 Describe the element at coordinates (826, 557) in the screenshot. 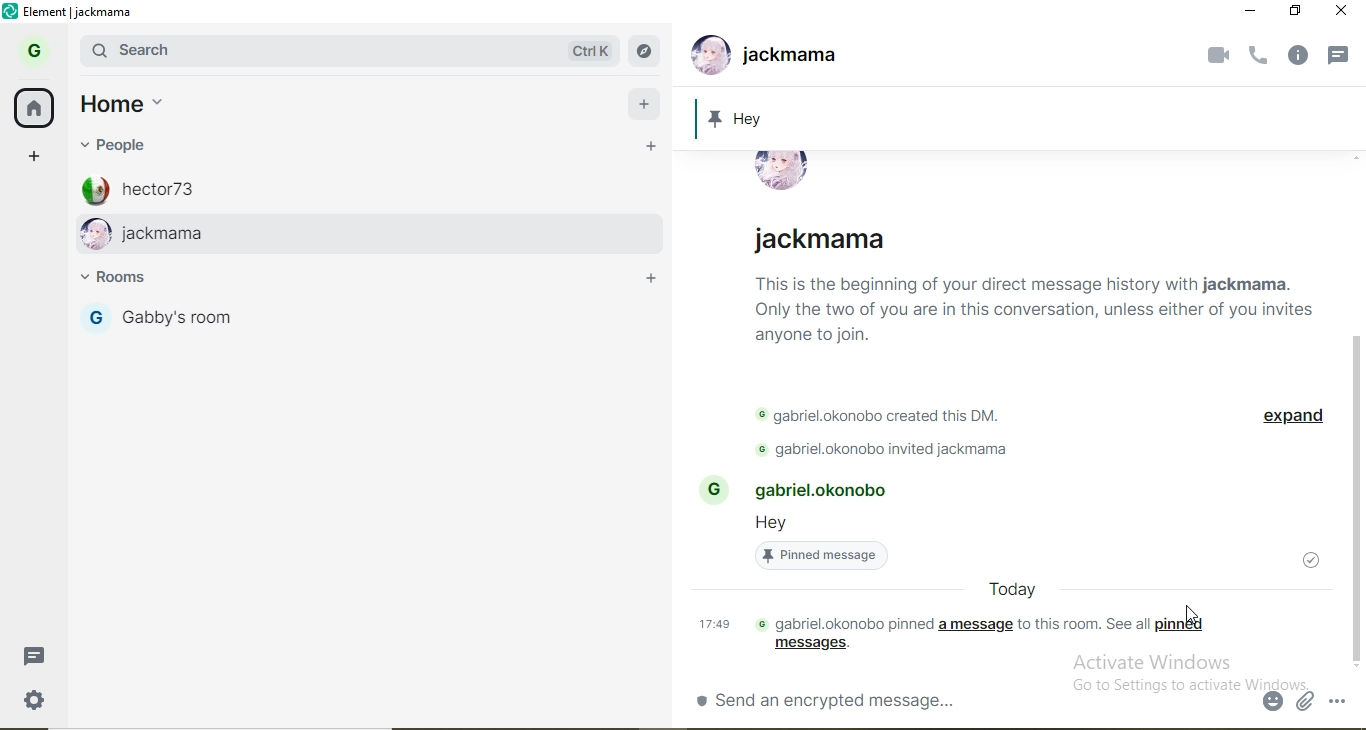

I see `pinned message` at that location.